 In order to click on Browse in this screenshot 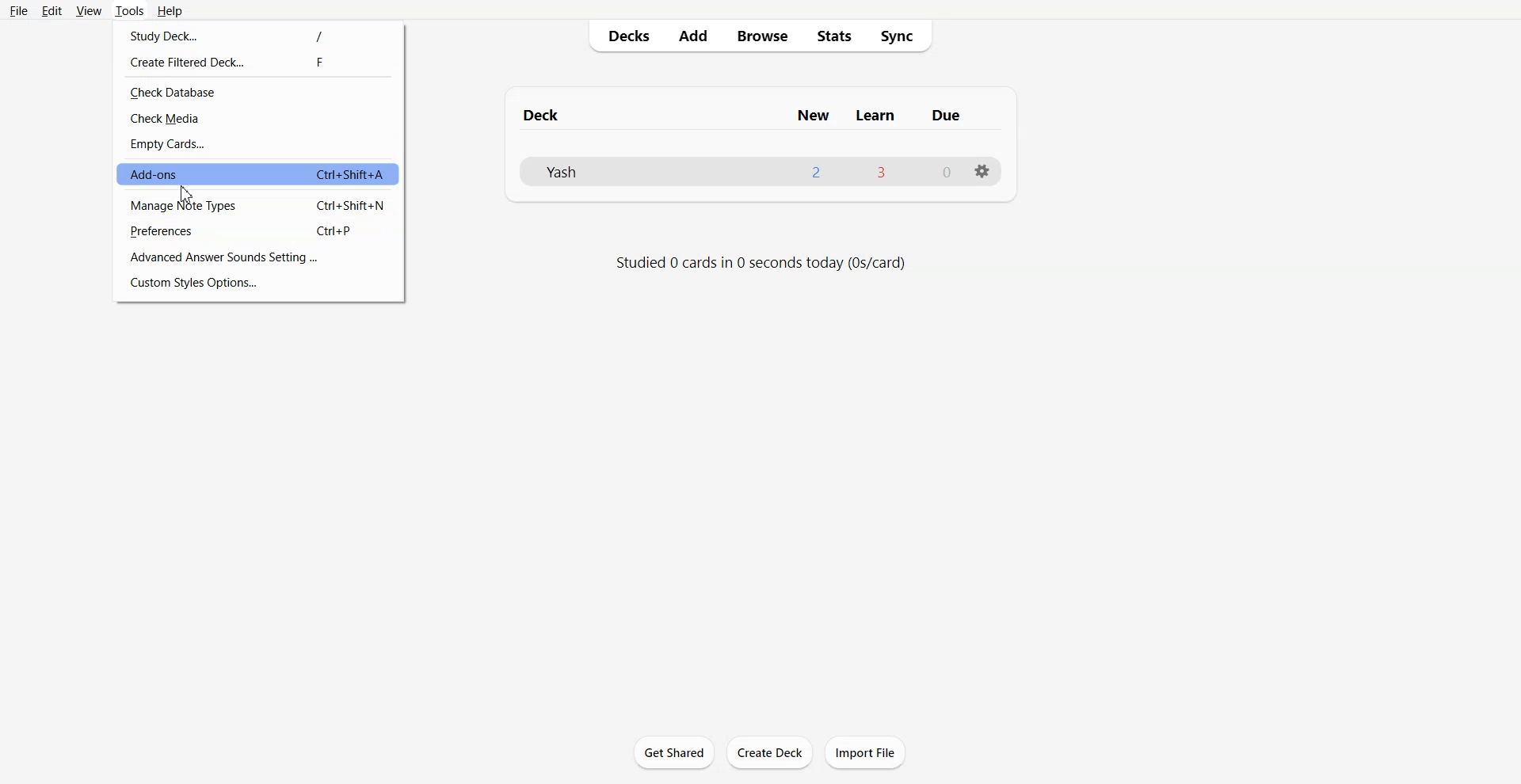, I will do `click(763, 36)`.